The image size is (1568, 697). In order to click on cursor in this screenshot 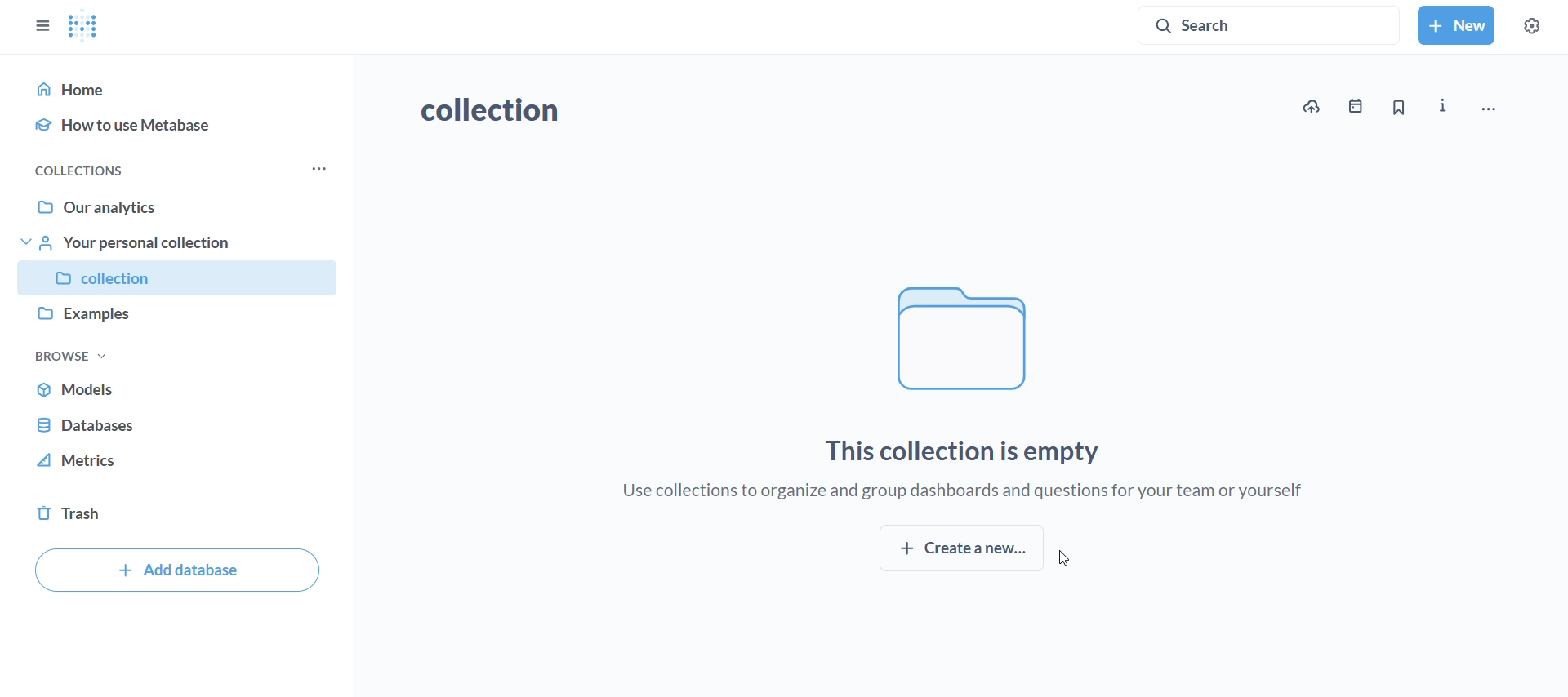, I will do `click(1070, 557)`.